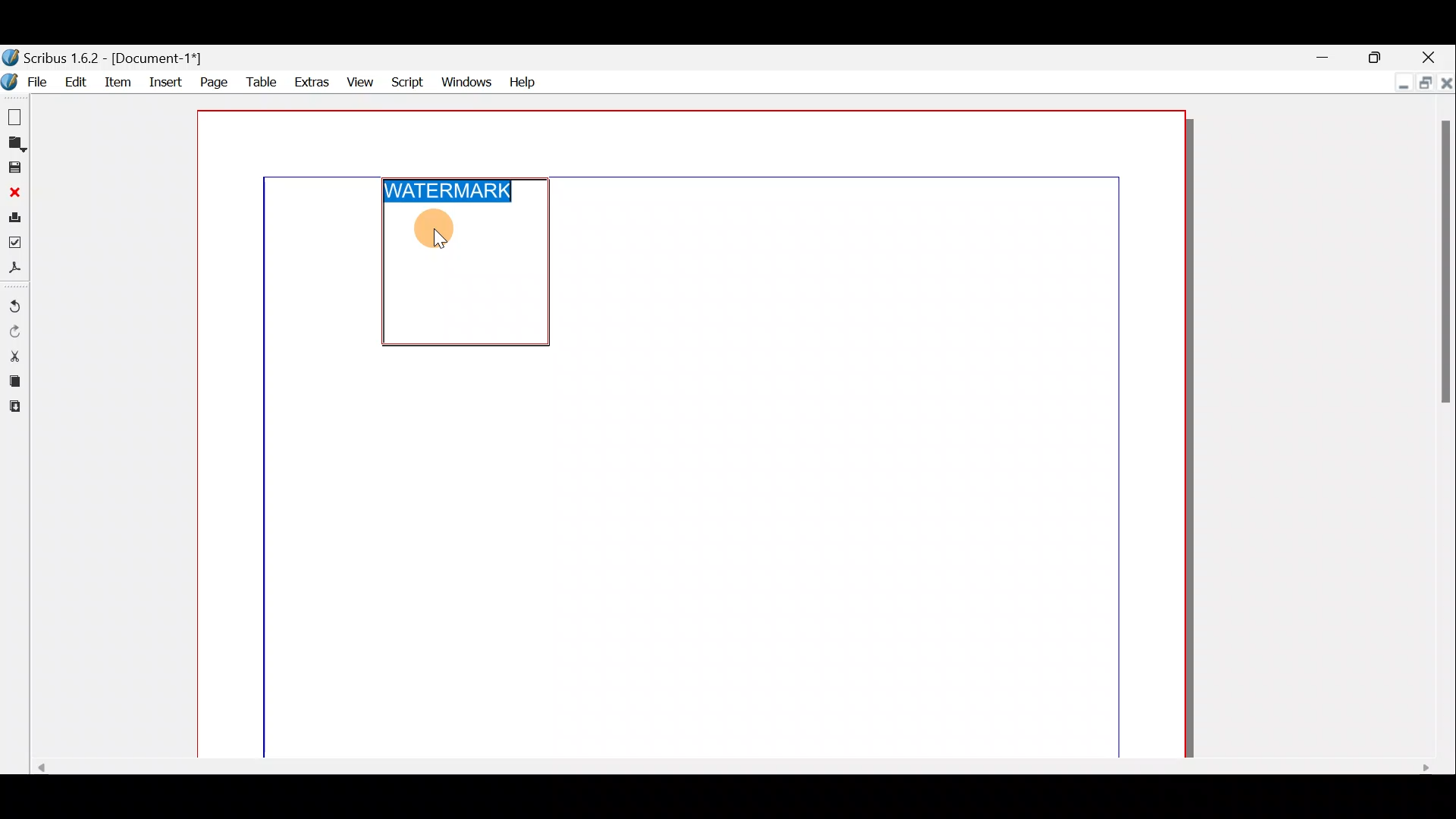  Describe the element at coordinates (409, 80) in the screenshot. I see `Script` at that location.